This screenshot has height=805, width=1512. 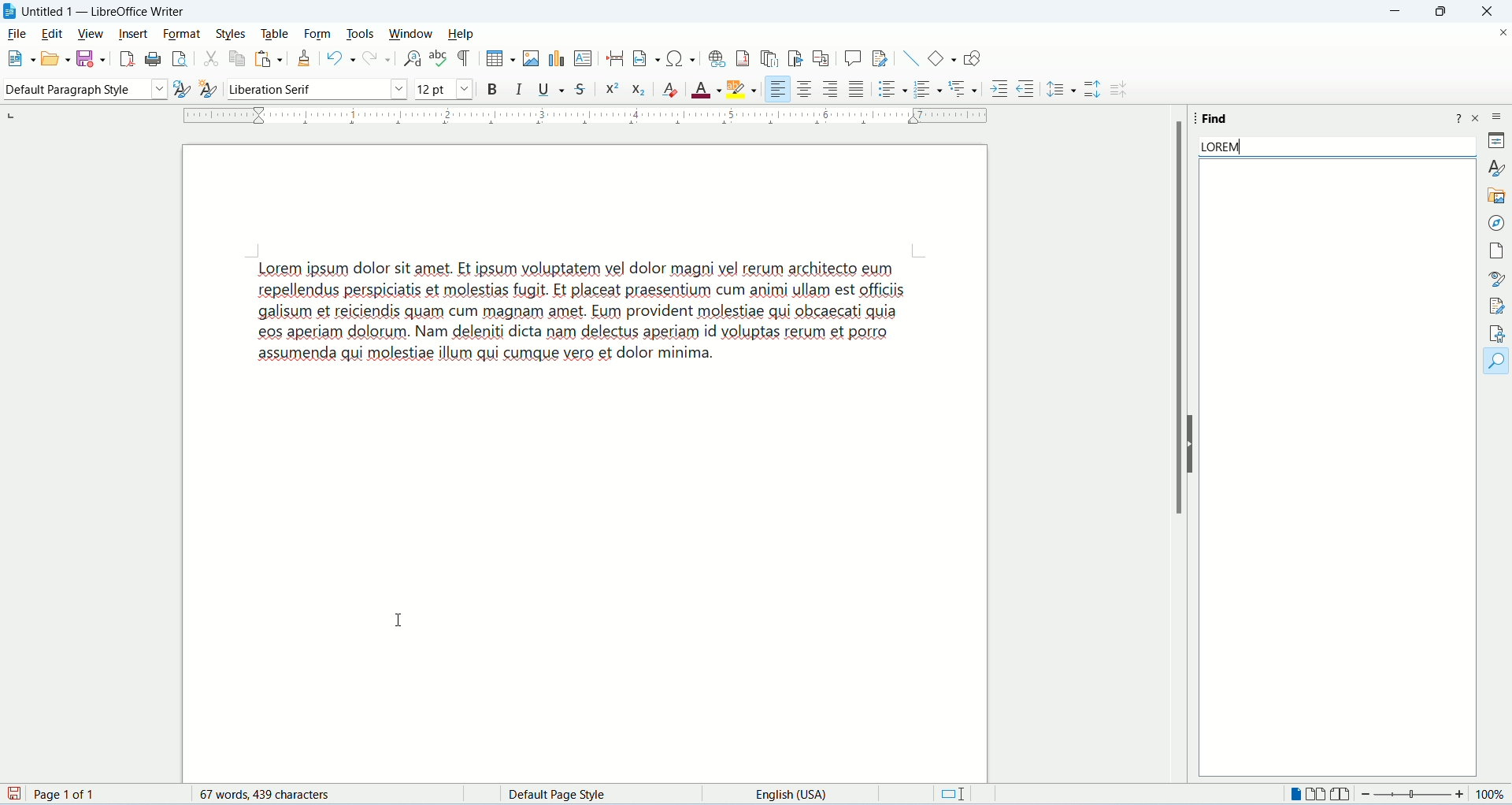 What do you see at coordinates (530, 57) in the screenshot?
I see `insert image` at bounding box center [530, 57].